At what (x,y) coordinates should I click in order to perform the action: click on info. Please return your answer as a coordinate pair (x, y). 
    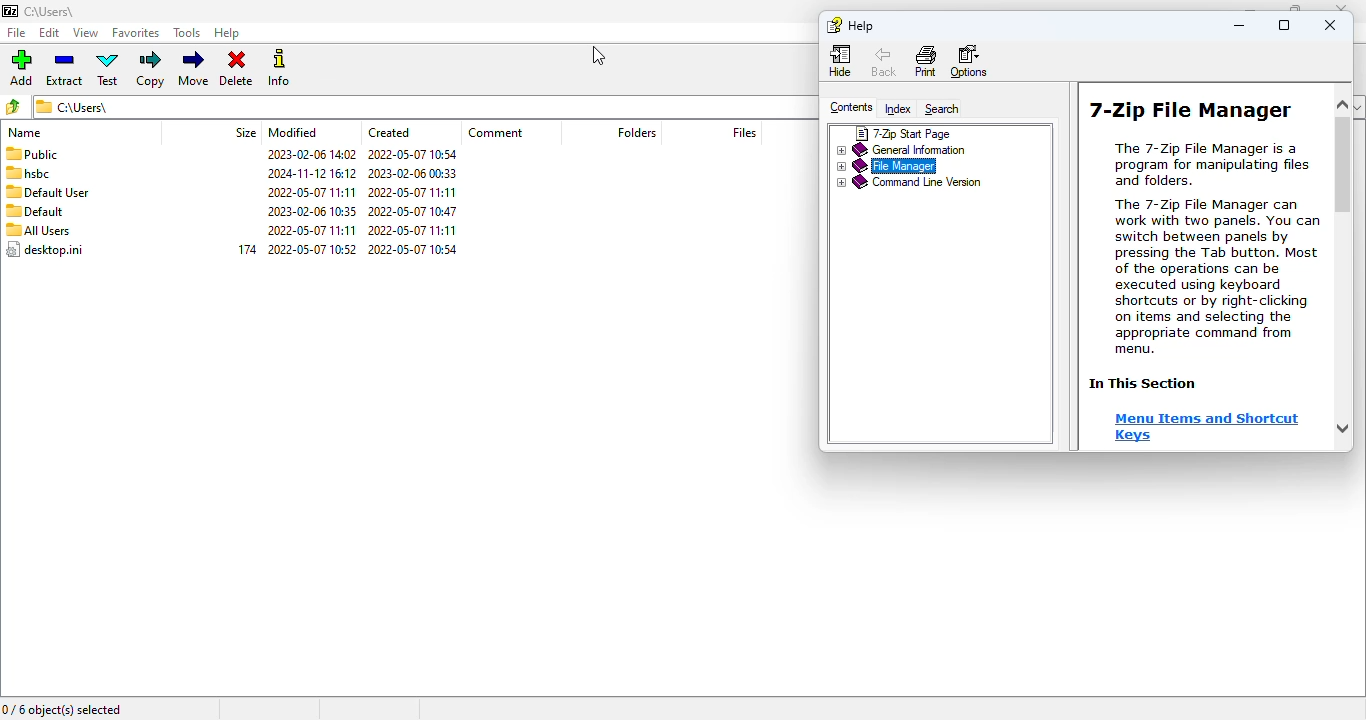
    Looking at the image, I should click on (280, 67).